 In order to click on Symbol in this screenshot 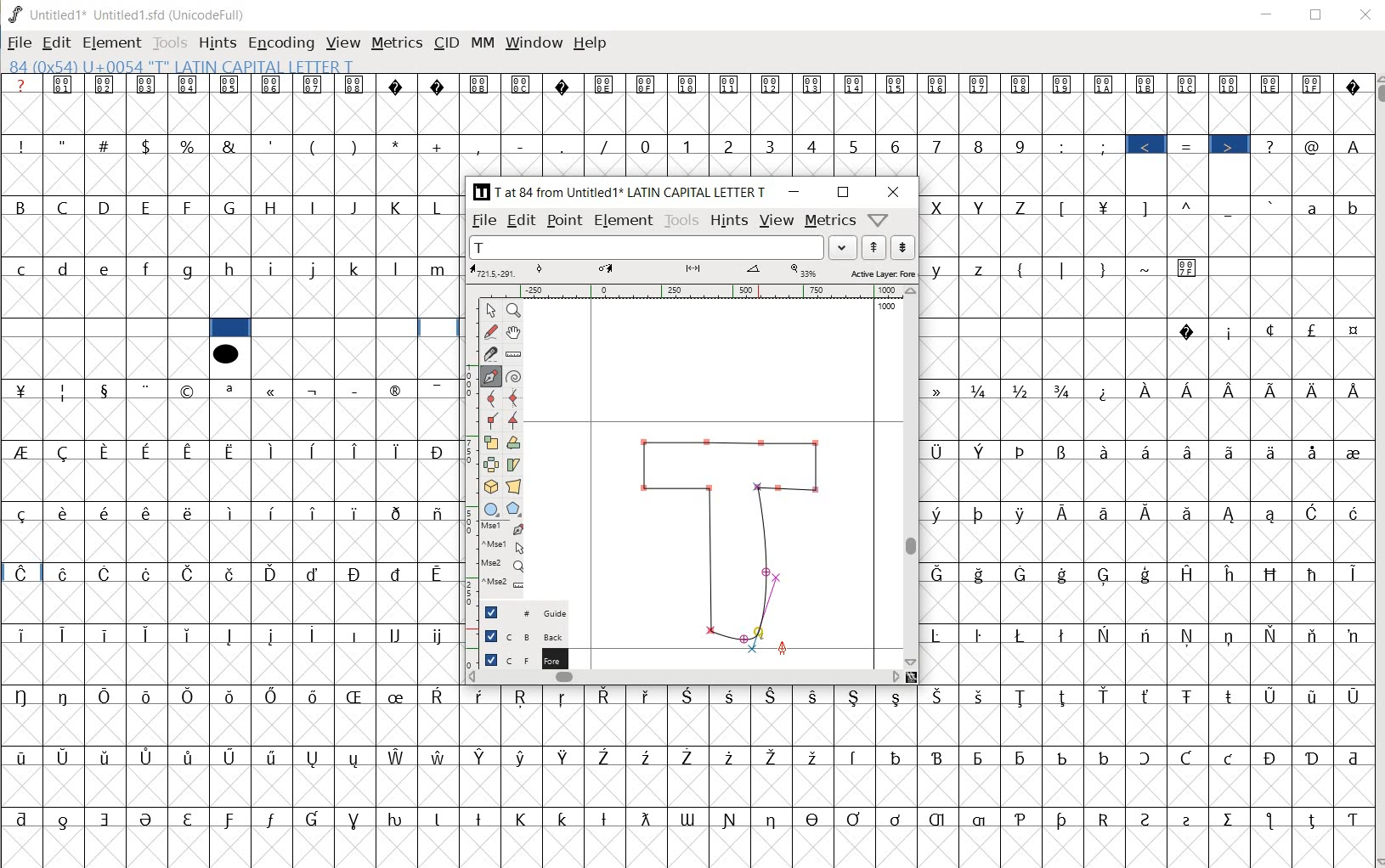, I will do `click(1185, 758)`.